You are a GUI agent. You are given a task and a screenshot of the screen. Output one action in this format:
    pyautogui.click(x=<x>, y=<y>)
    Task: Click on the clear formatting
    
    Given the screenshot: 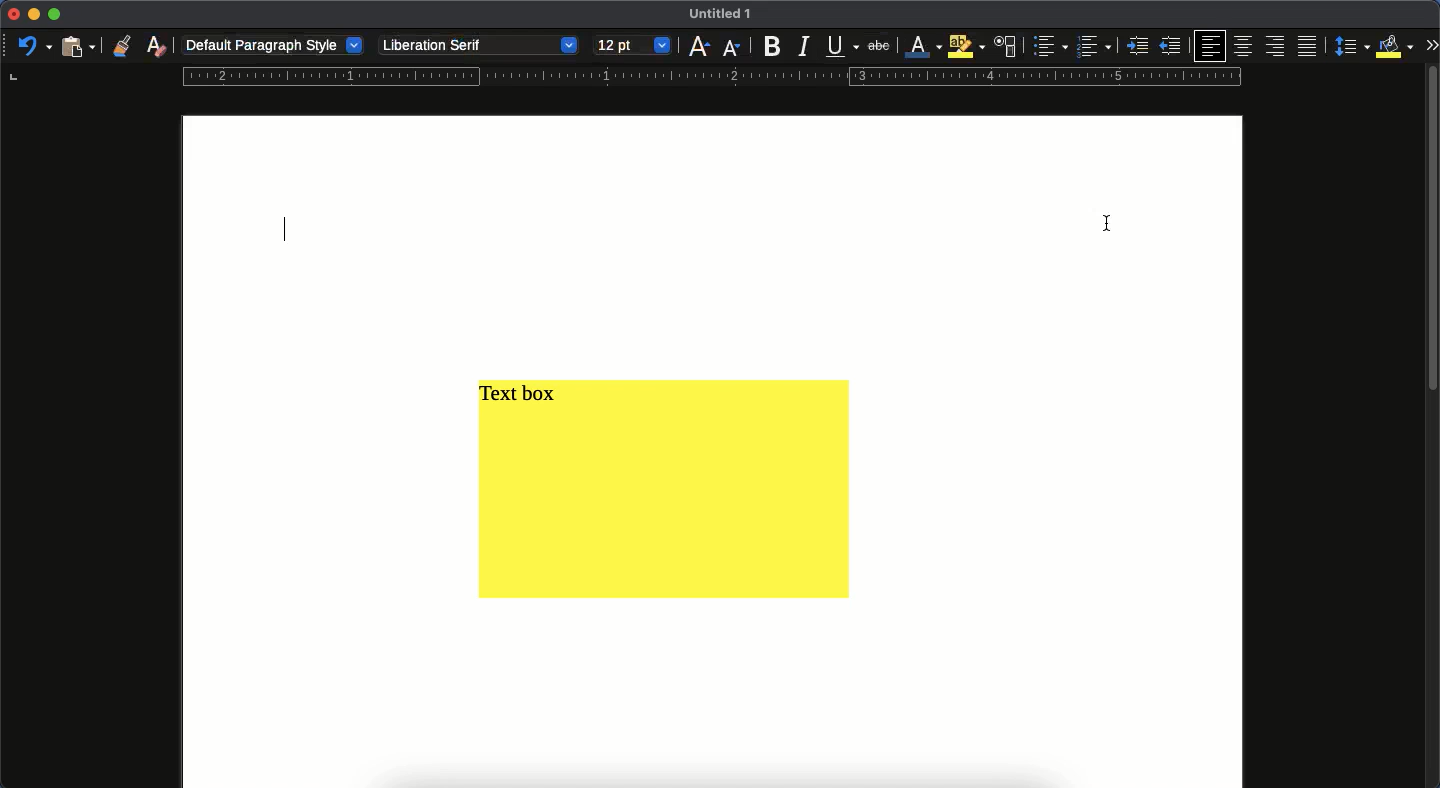 What is the action you would take?
    pyautogui.click(x=155, y=46)
    